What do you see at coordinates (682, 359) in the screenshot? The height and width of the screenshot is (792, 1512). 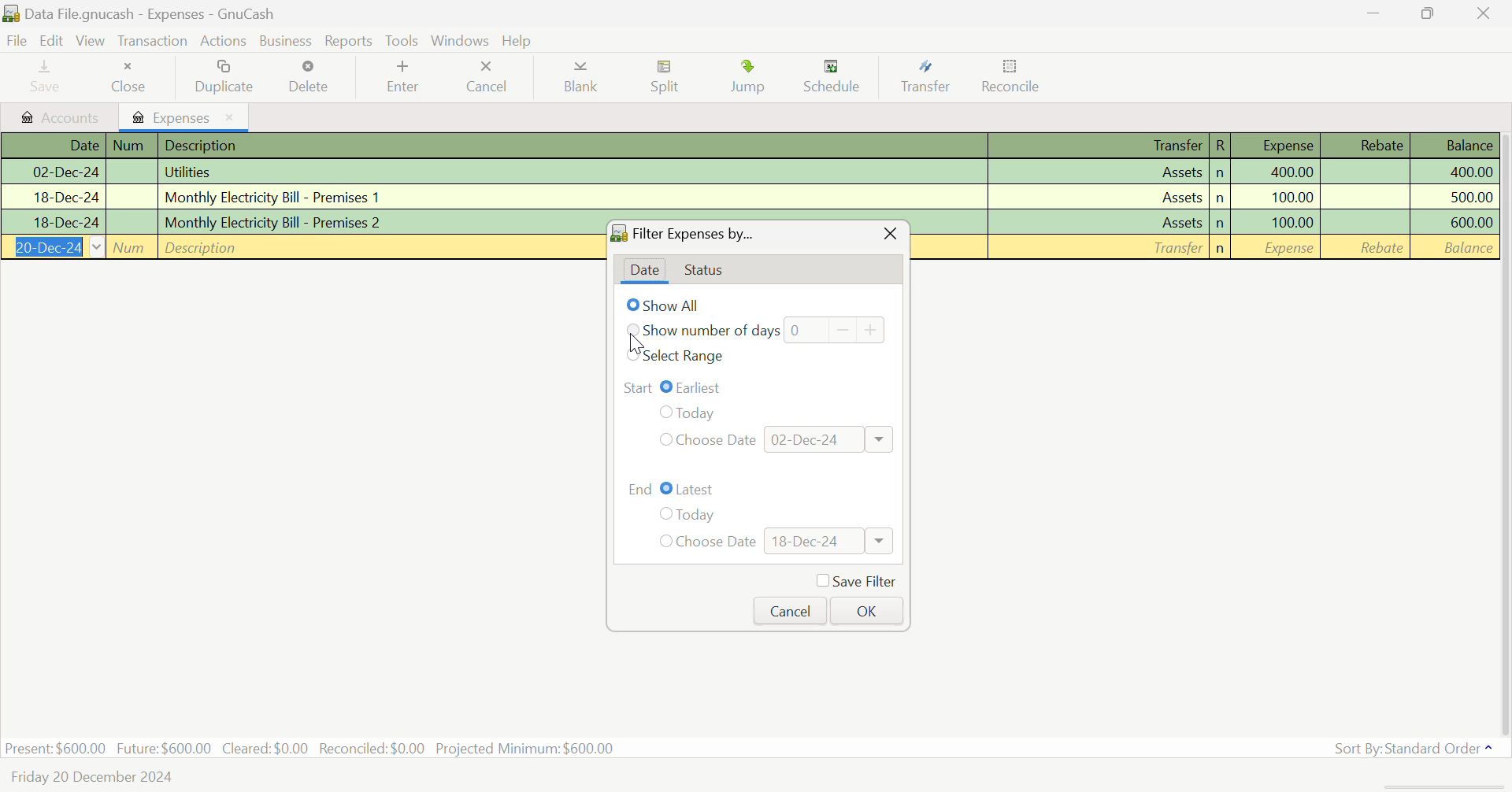 I see `Select Range` at bounding box center [682, 359].